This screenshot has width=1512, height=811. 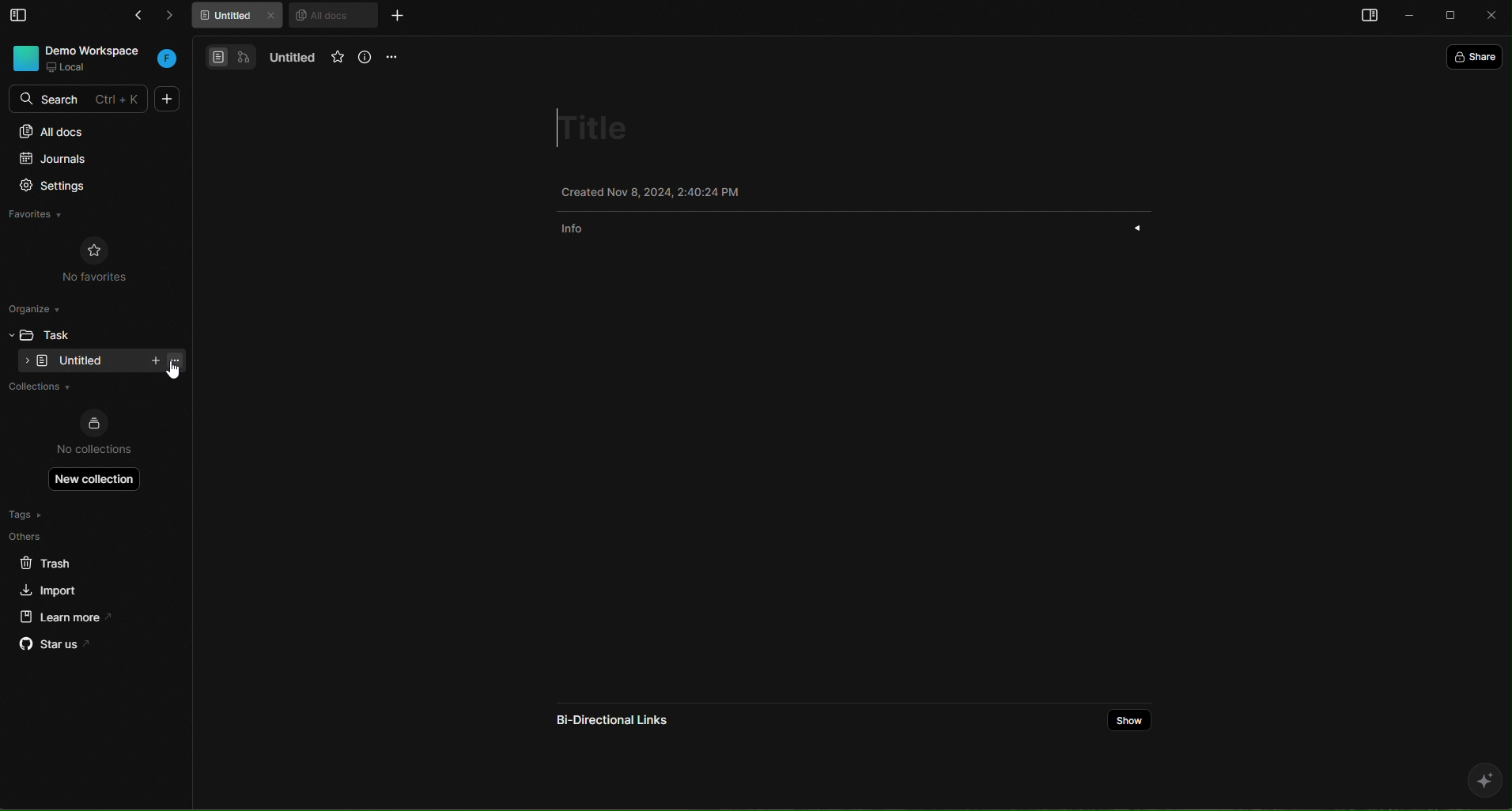 What do you see at coordinates (1130, 719) in the screenshot?
I see `show` at bounding box center [1130, 719].